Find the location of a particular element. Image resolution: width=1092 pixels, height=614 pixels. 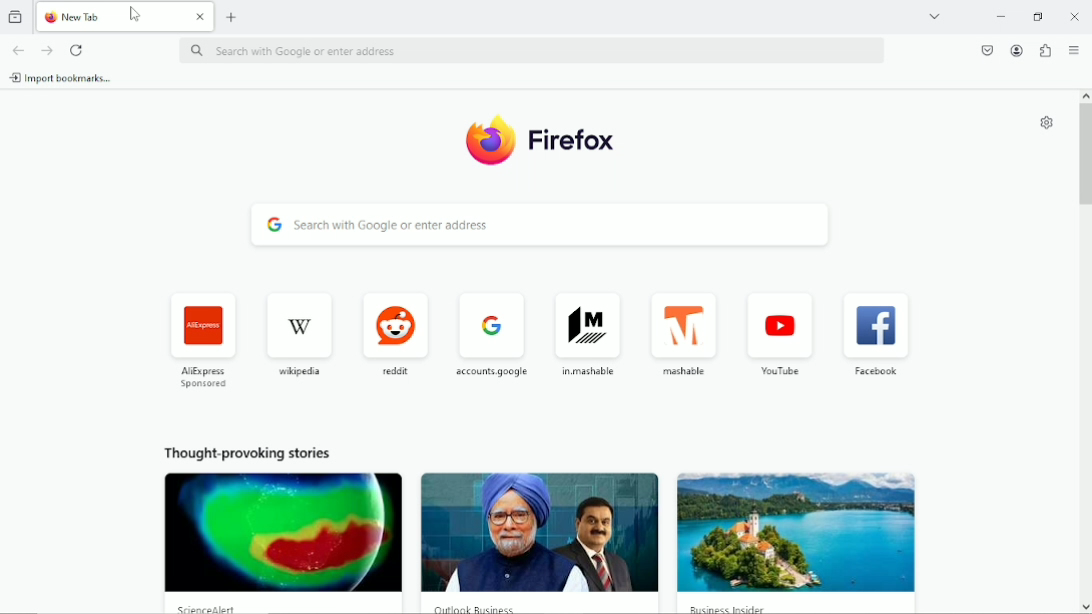

article cover  is located at coordinates (533, 532).